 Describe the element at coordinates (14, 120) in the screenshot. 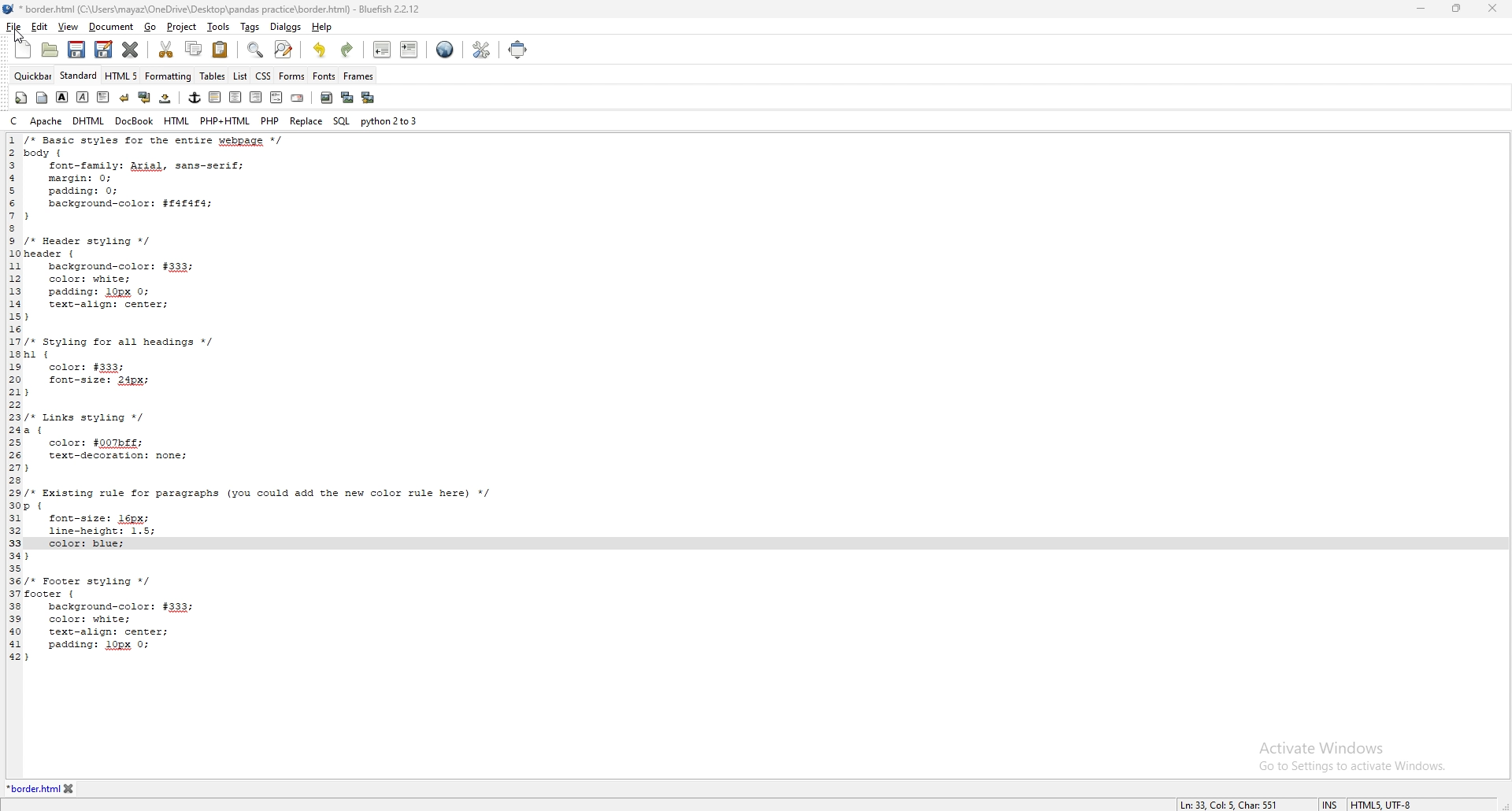

I see `c` at that location.